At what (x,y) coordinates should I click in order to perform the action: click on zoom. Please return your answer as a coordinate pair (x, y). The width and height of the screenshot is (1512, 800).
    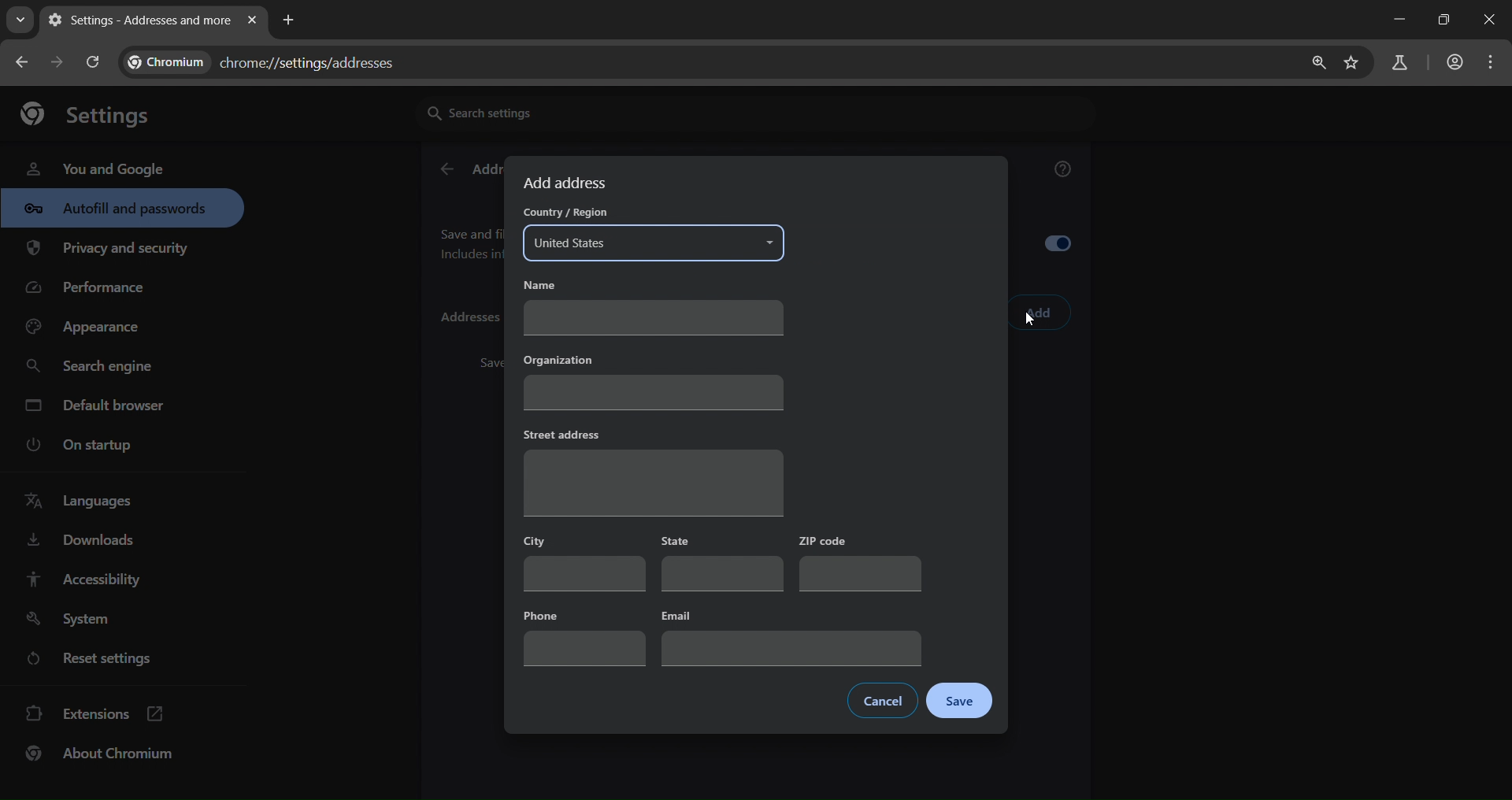
    Looking at the image, I should click on (1314, 63).